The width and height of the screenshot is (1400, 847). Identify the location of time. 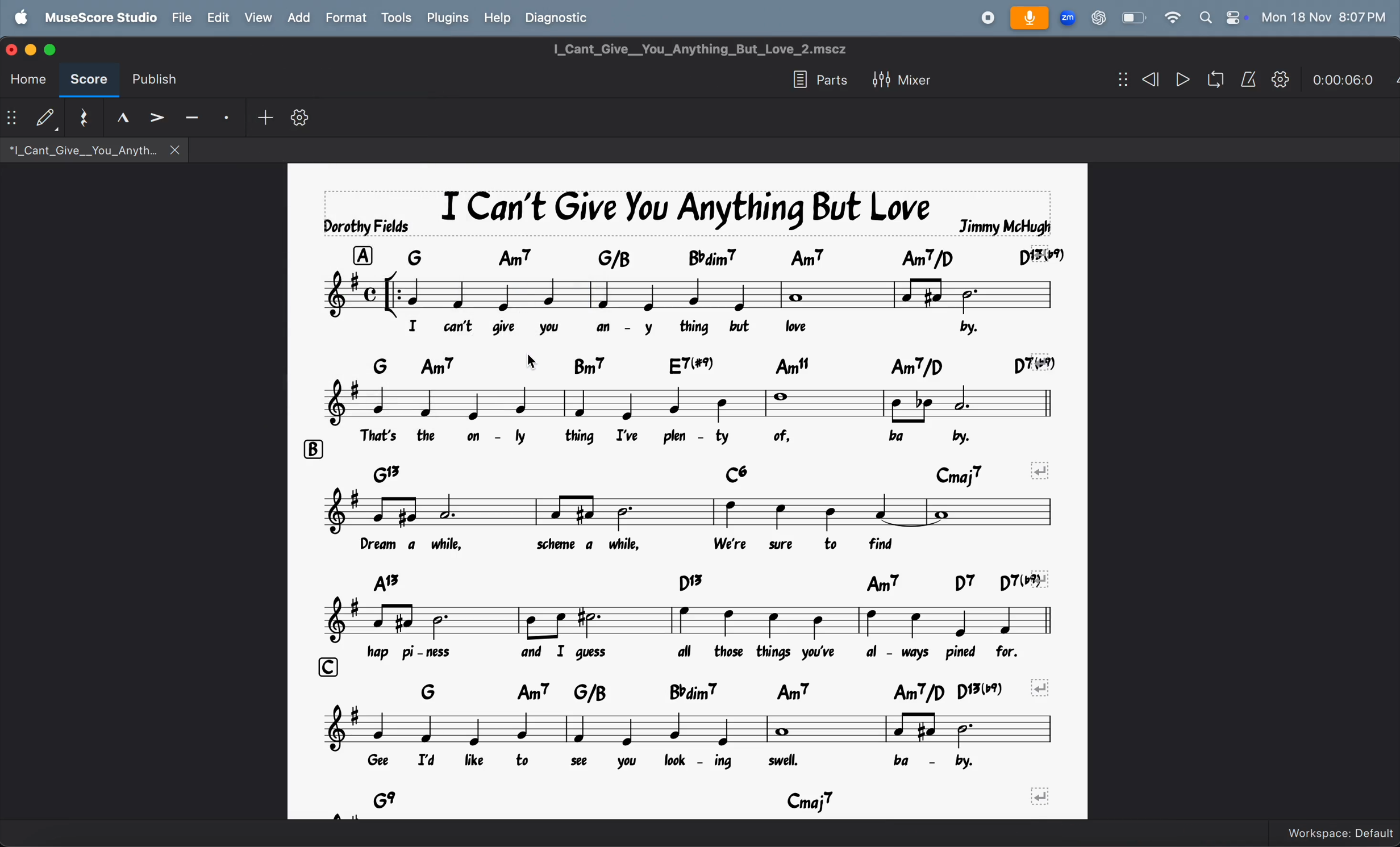
(1352, 81).